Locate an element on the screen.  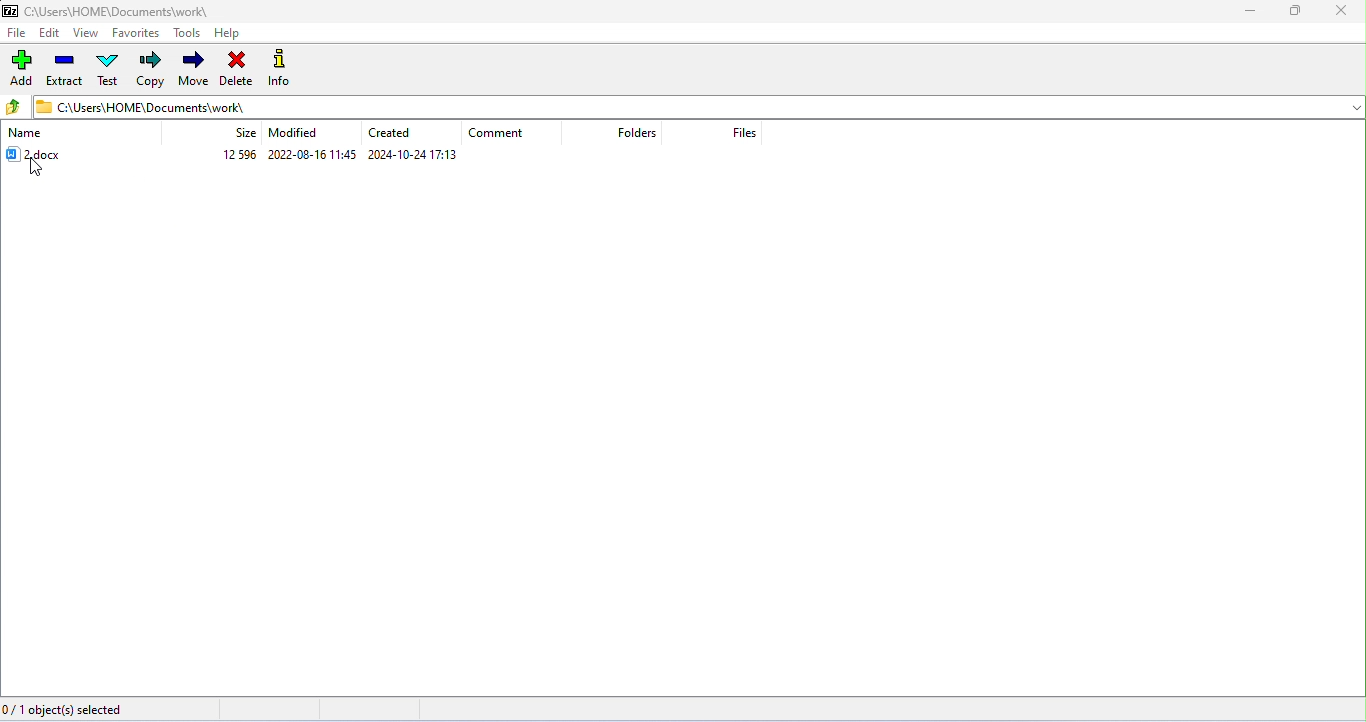
edit is located at coordinates (50, 32).